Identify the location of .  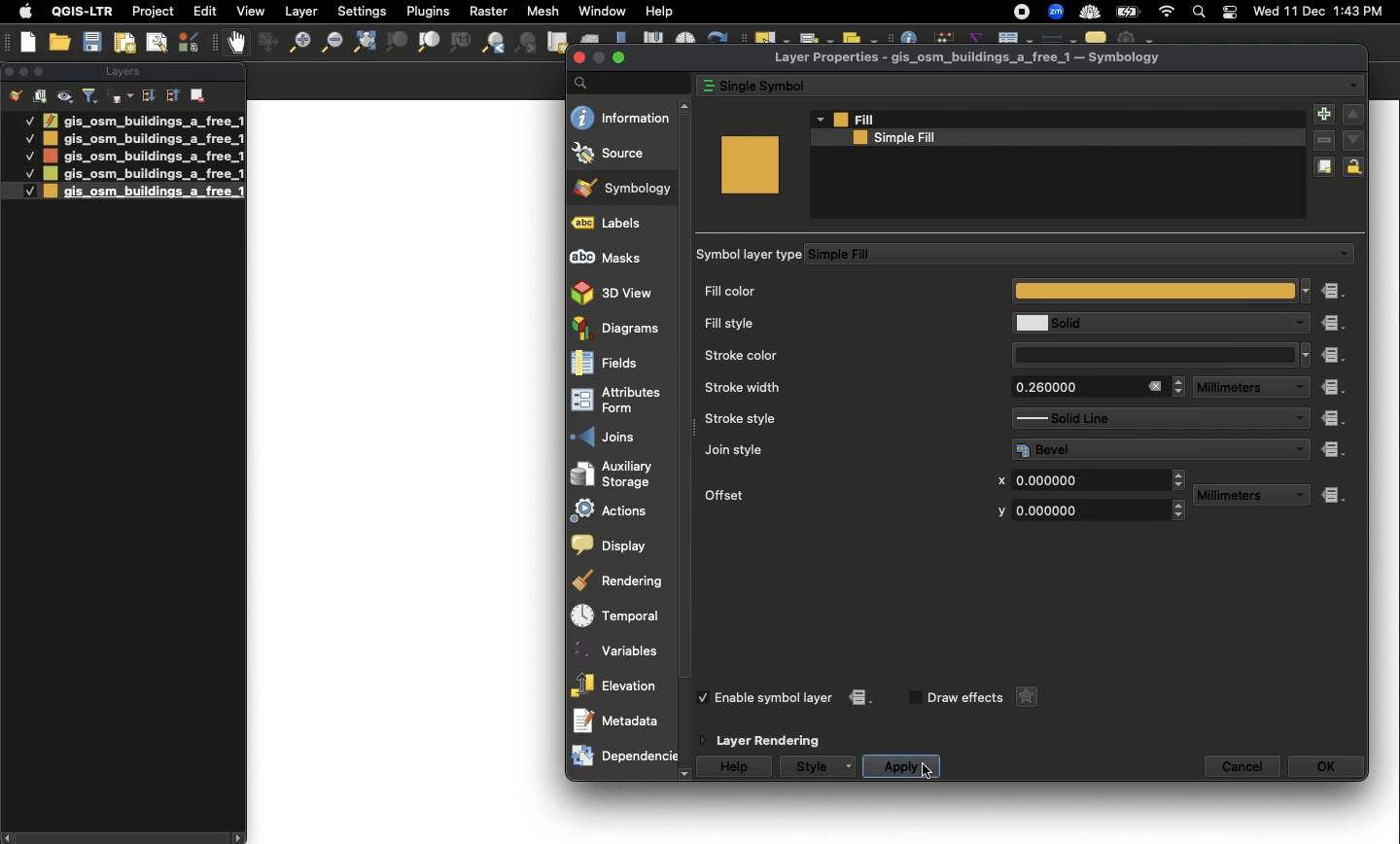
(1337, 387).